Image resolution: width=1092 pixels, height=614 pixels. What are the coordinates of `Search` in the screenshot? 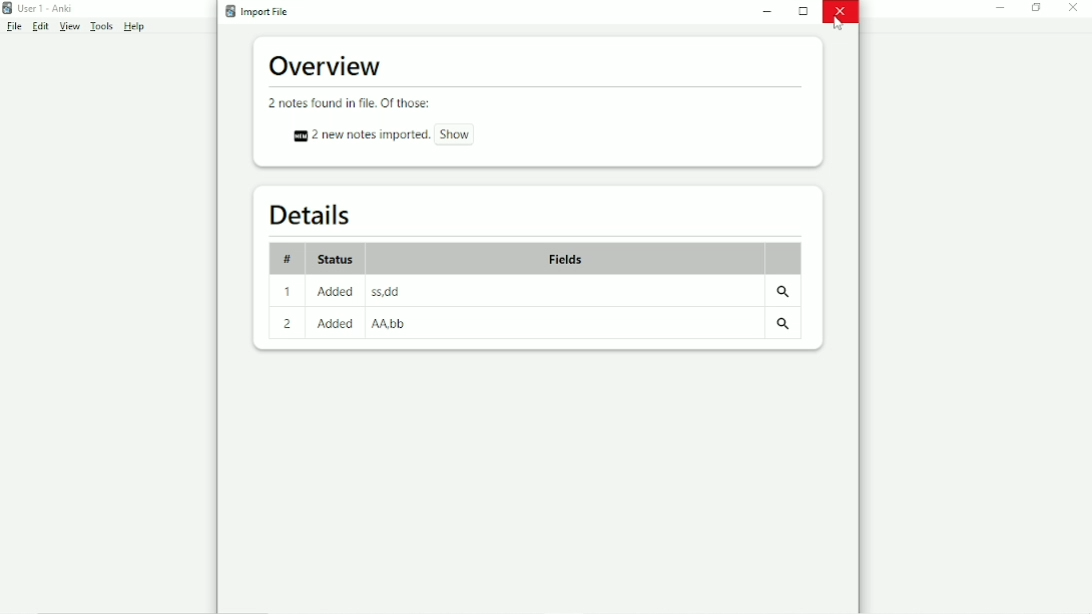 It's located at (785, 326).